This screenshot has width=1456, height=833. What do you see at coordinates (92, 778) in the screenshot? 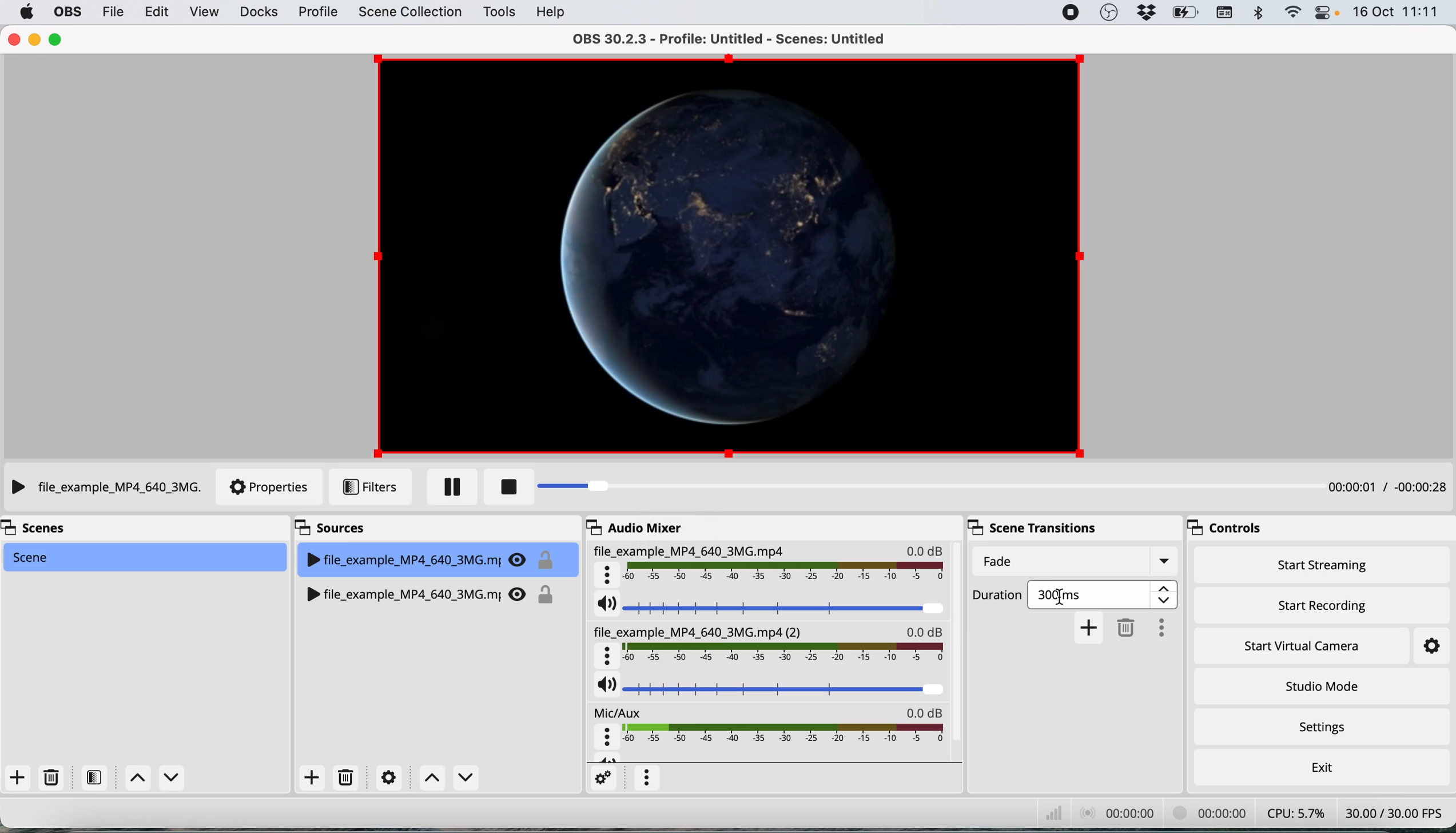
I see `filters` at bounding box center [92, 778].